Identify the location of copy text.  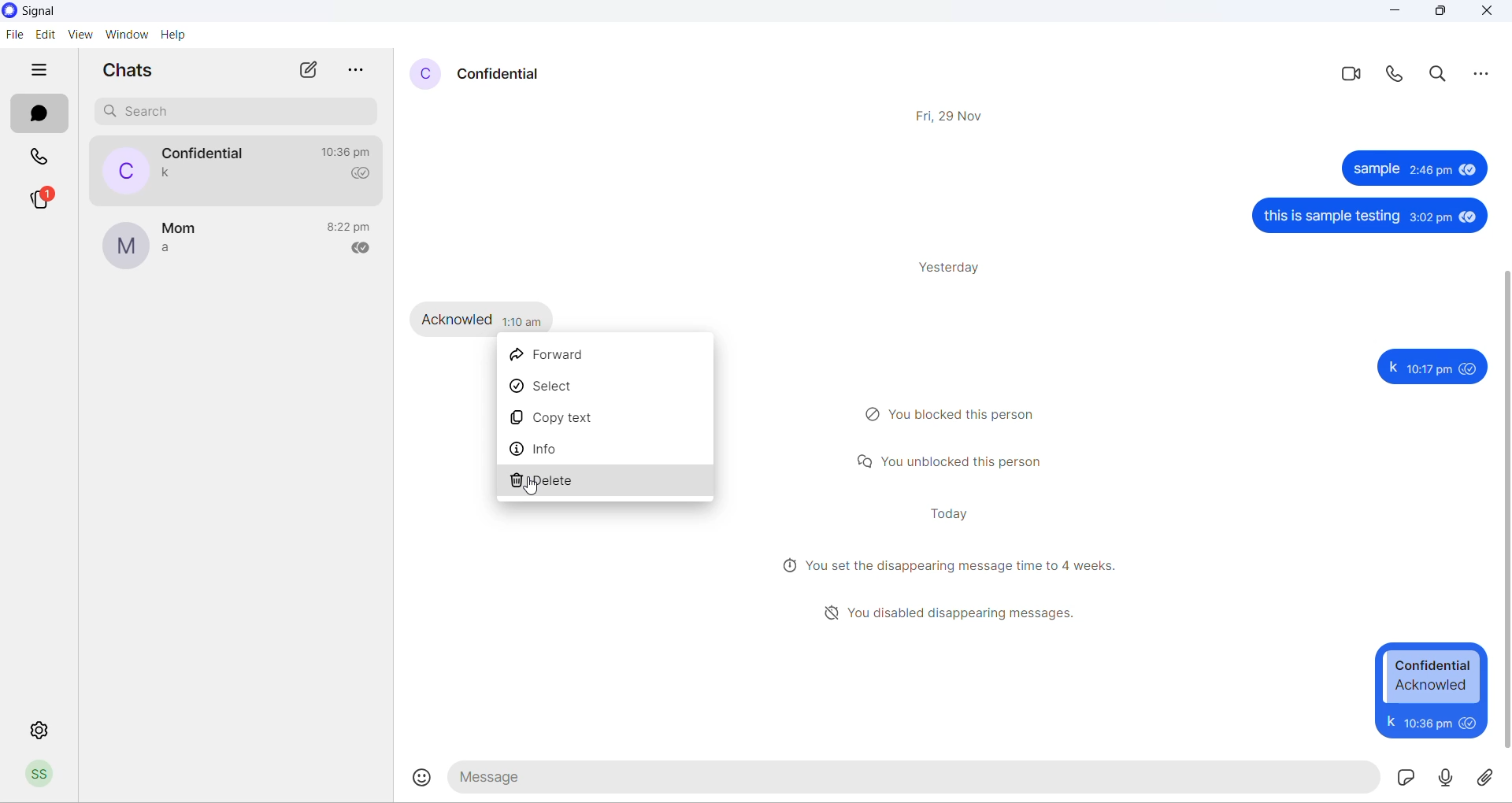
(607, 419).